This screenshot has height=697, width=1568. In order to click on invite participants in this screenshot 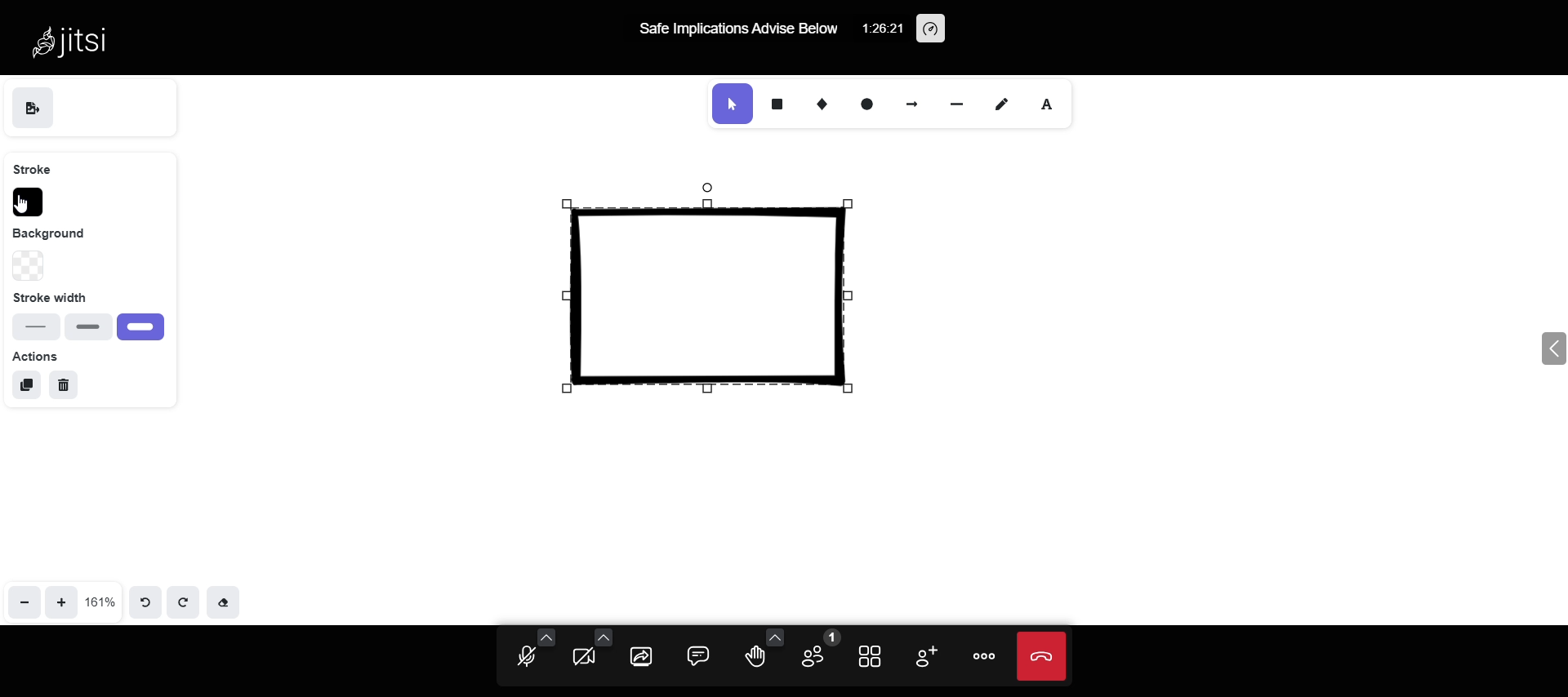, I will do `click(924, 659)`.